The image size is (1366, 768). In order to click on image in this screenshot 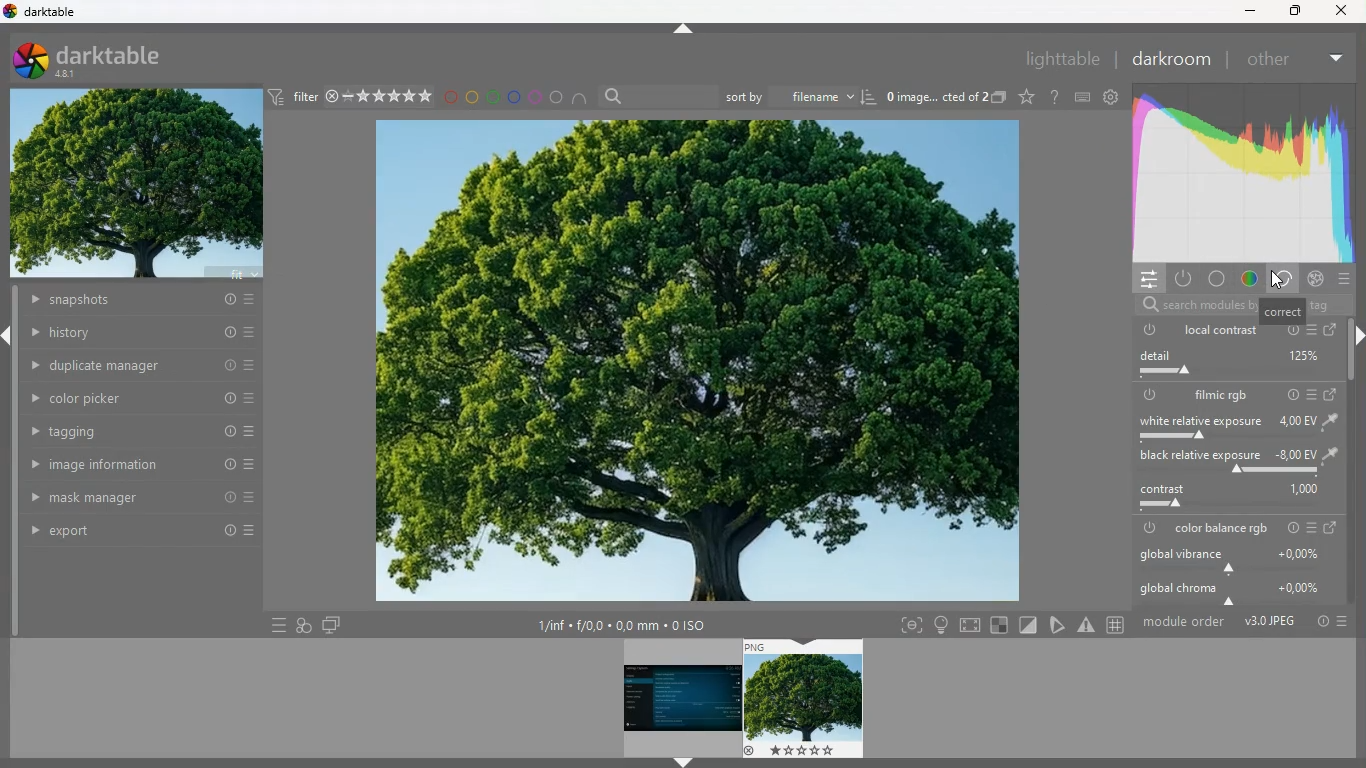, I will do `click(673, 696)`.